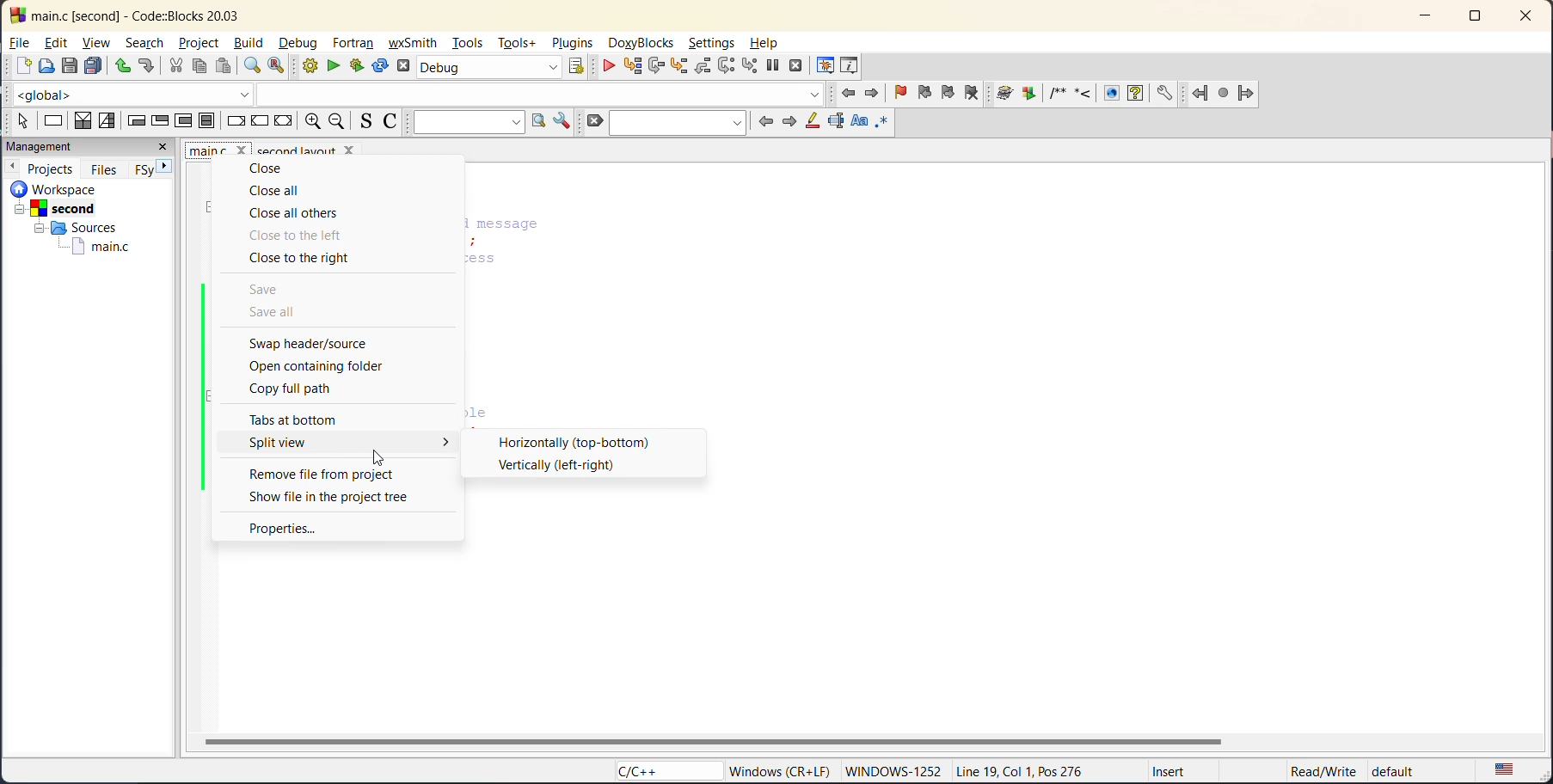  I want to click on Read/Write, so click(1321, 769).